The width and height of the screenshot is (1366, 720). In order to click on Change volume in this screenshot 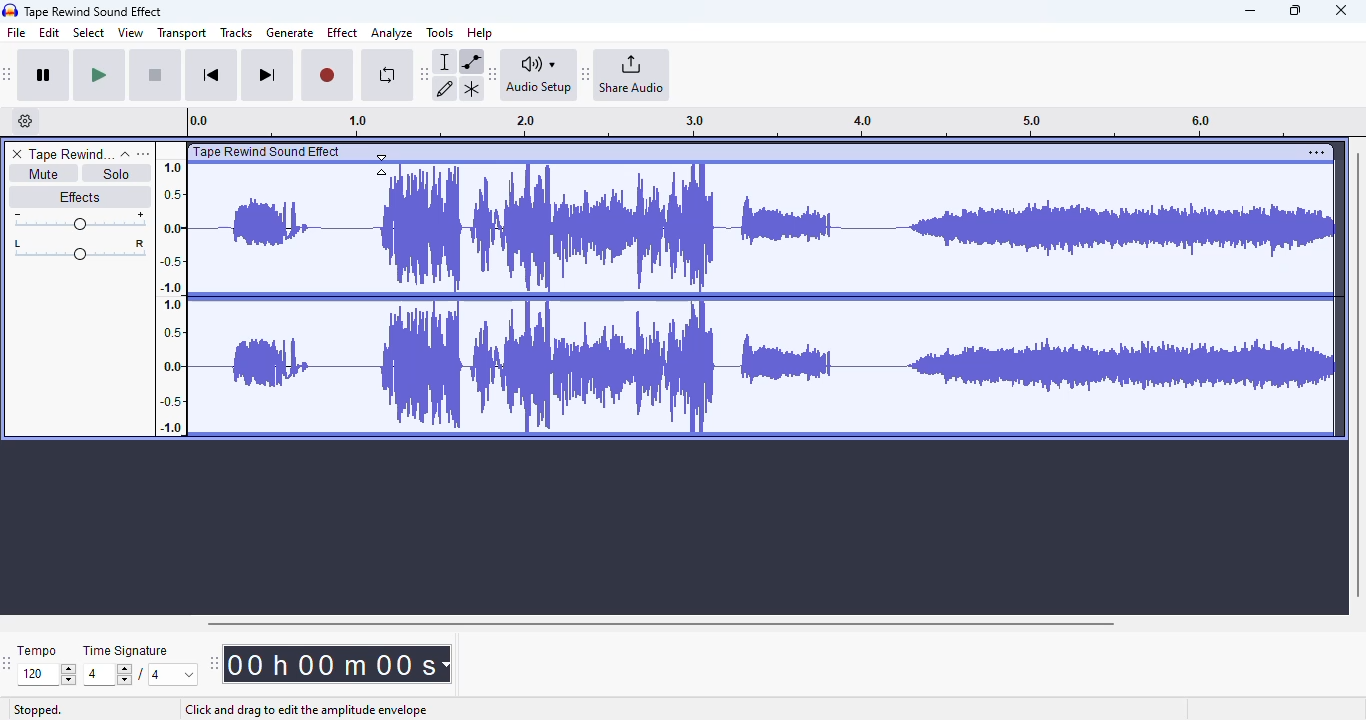, I will do `click(79, 221)`.